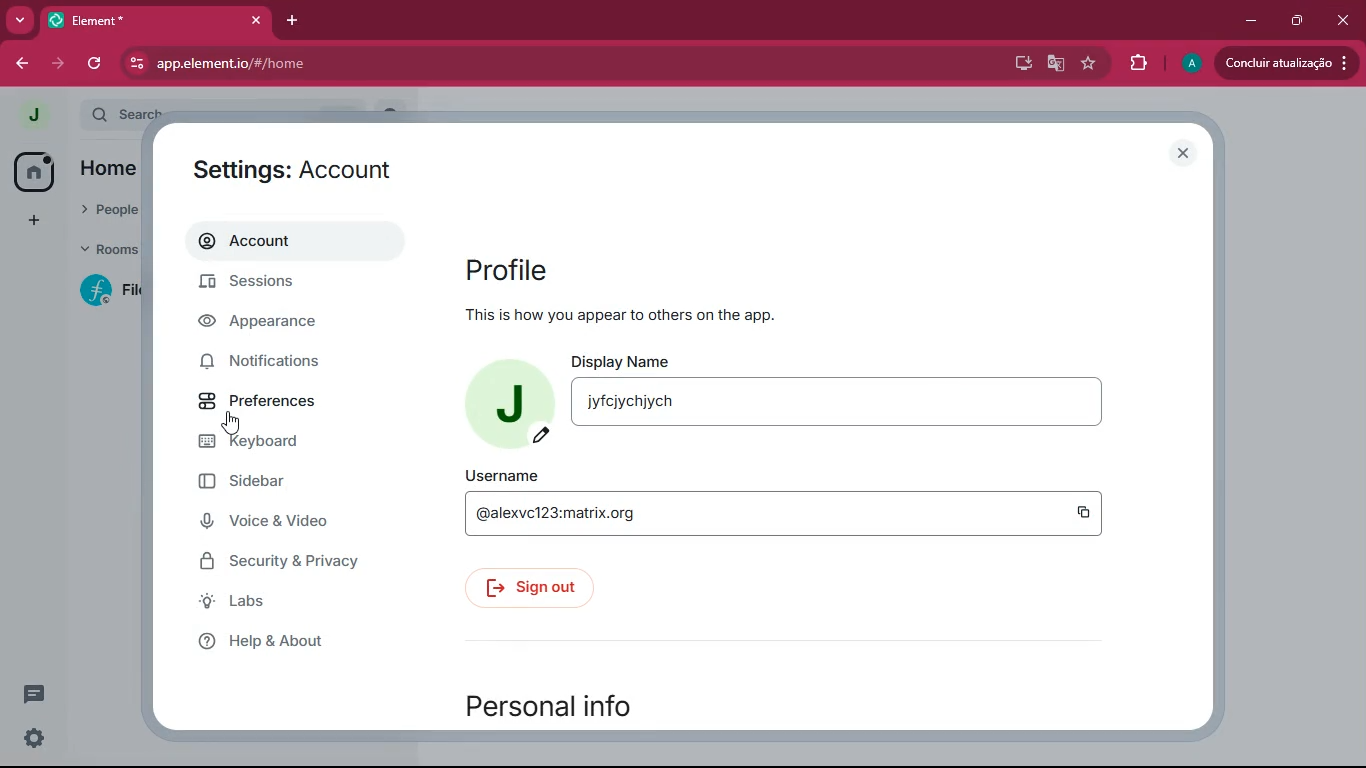  Describe the element at coordinates (38, 693) in the screenshot. I see `conversation` at that location.